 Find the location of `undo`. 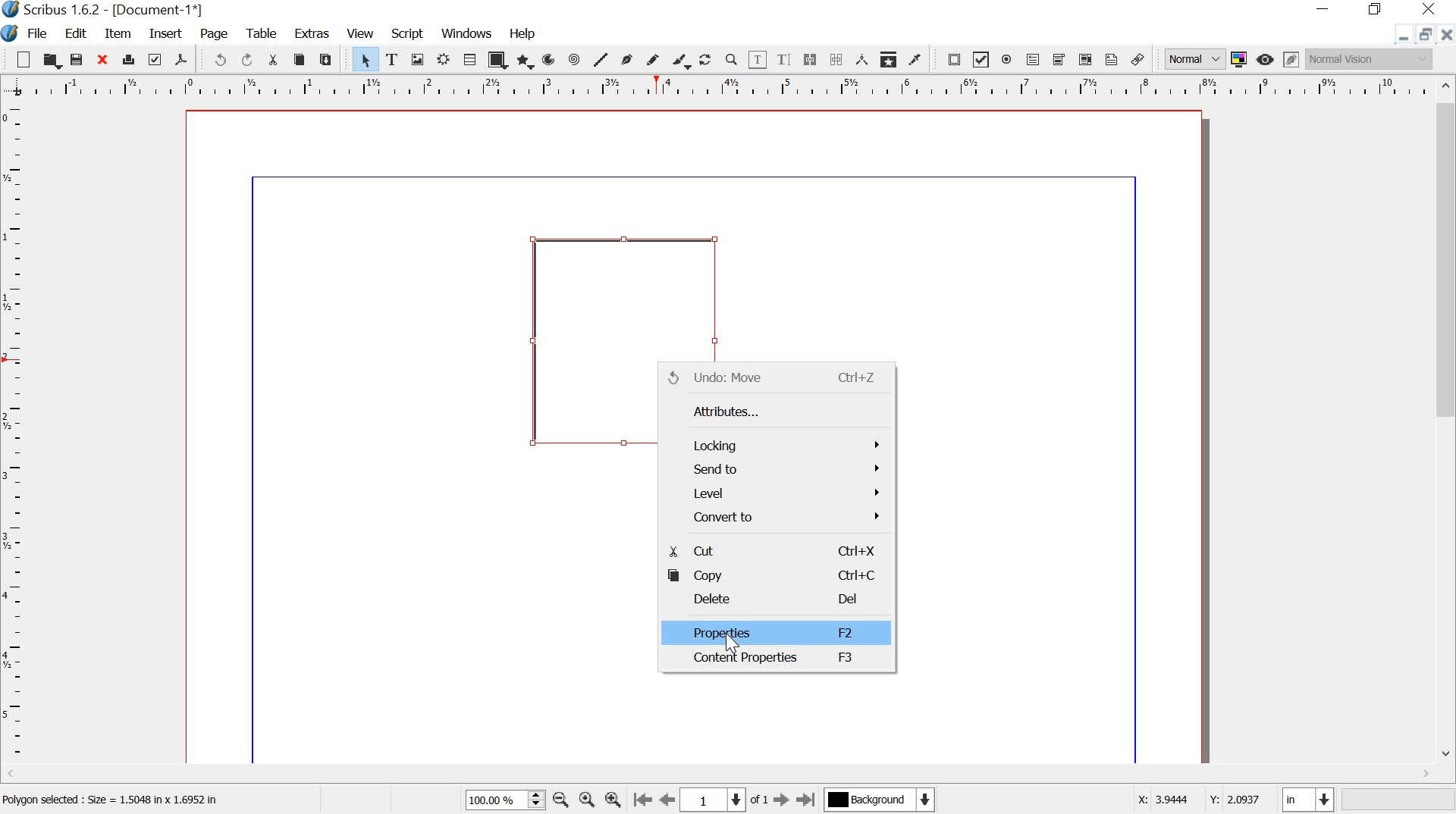

undo is located at coordinates (215, 58).